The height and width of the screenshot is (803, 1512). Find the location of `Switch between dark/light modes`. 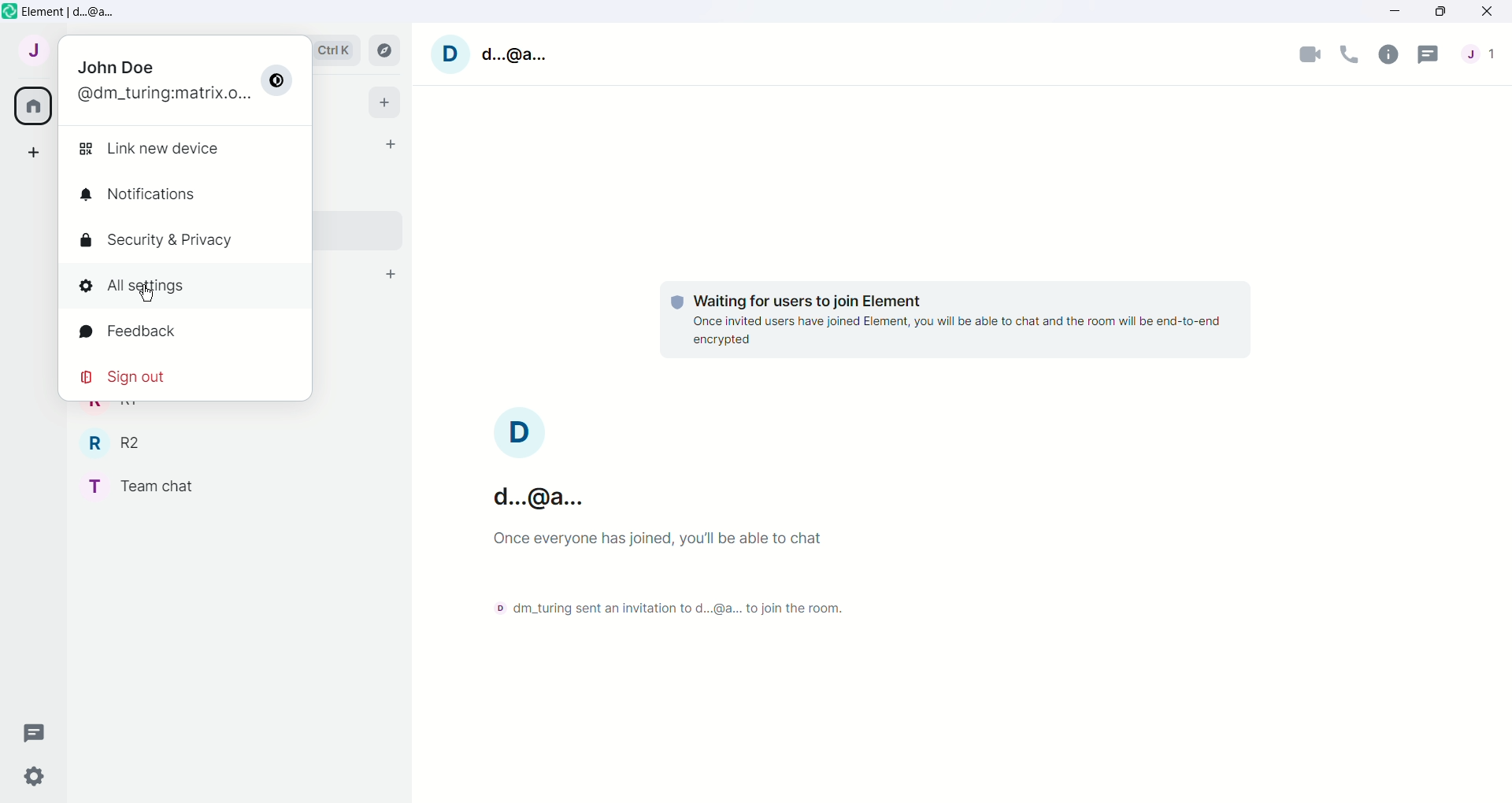

Switch between dark/light modes is located at coordinates (277, 80).